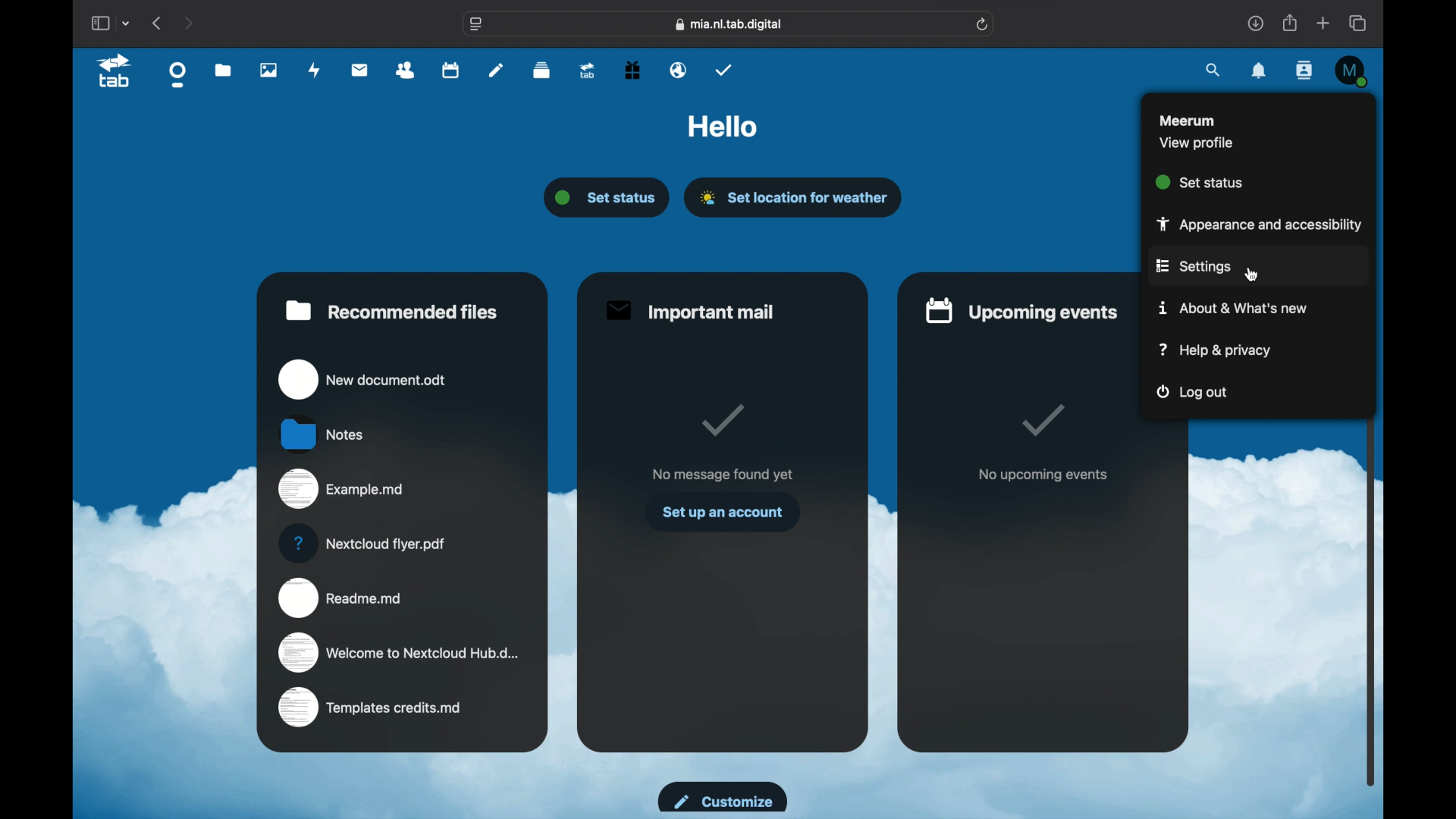 This screenshot has width=1456, height=819. What do you see at coordinates (724, 125) in the screenshot?
I see `hello` at bounding box center [724, 125].